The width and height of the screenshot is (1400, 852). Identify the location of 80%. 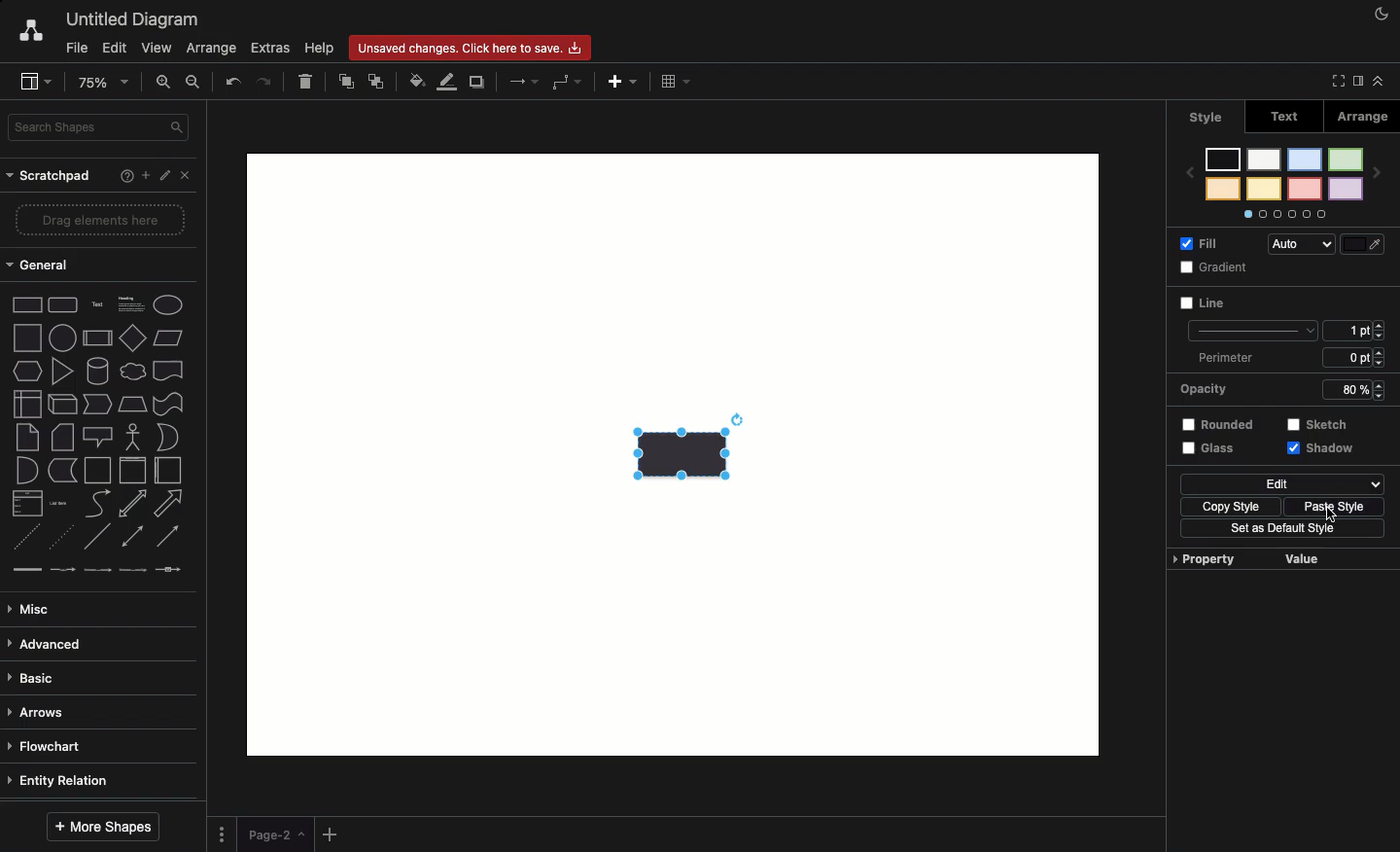
(1347, 391).